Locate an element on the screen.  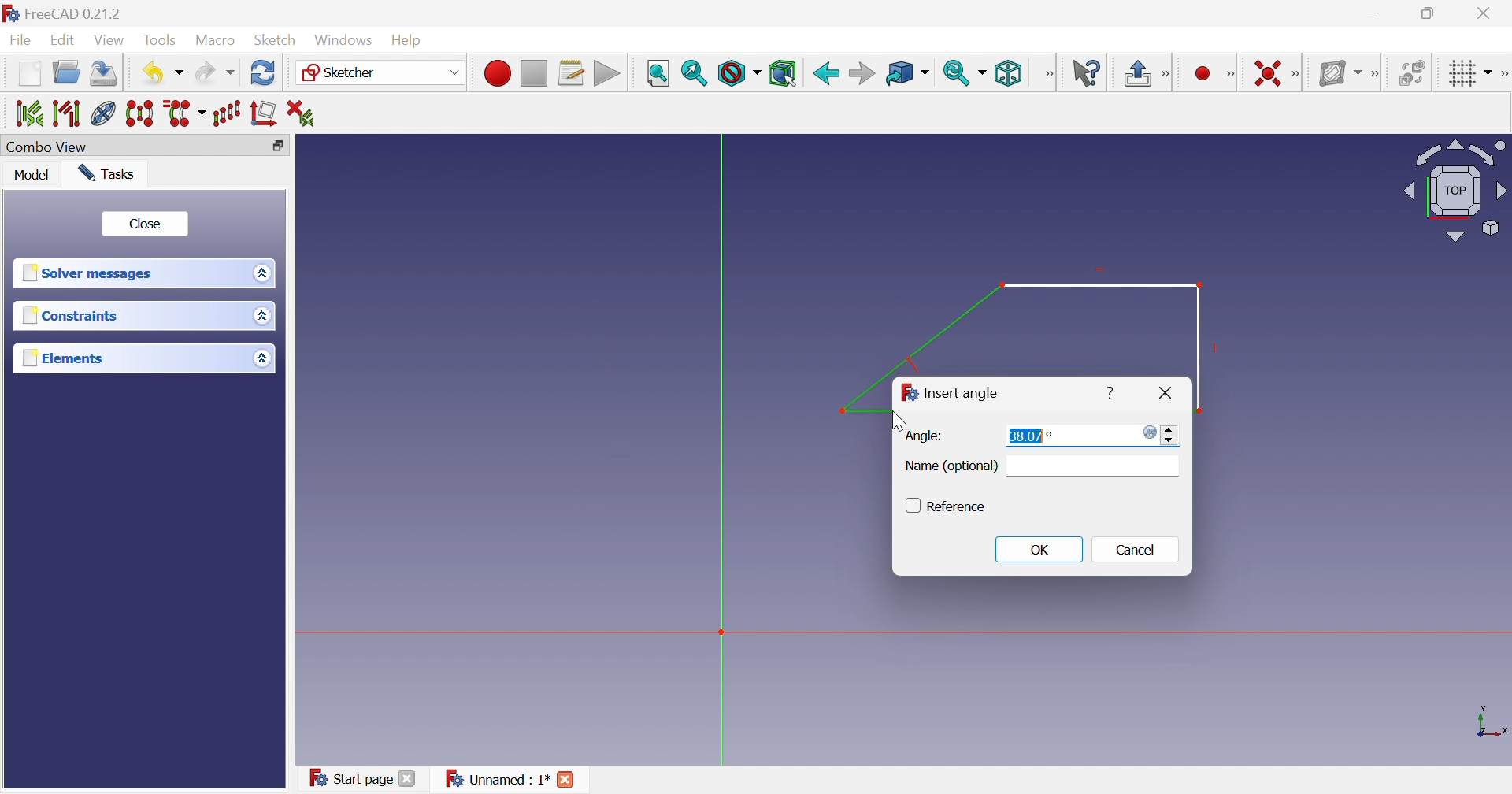
Help is located at coordinates (1107, 394).